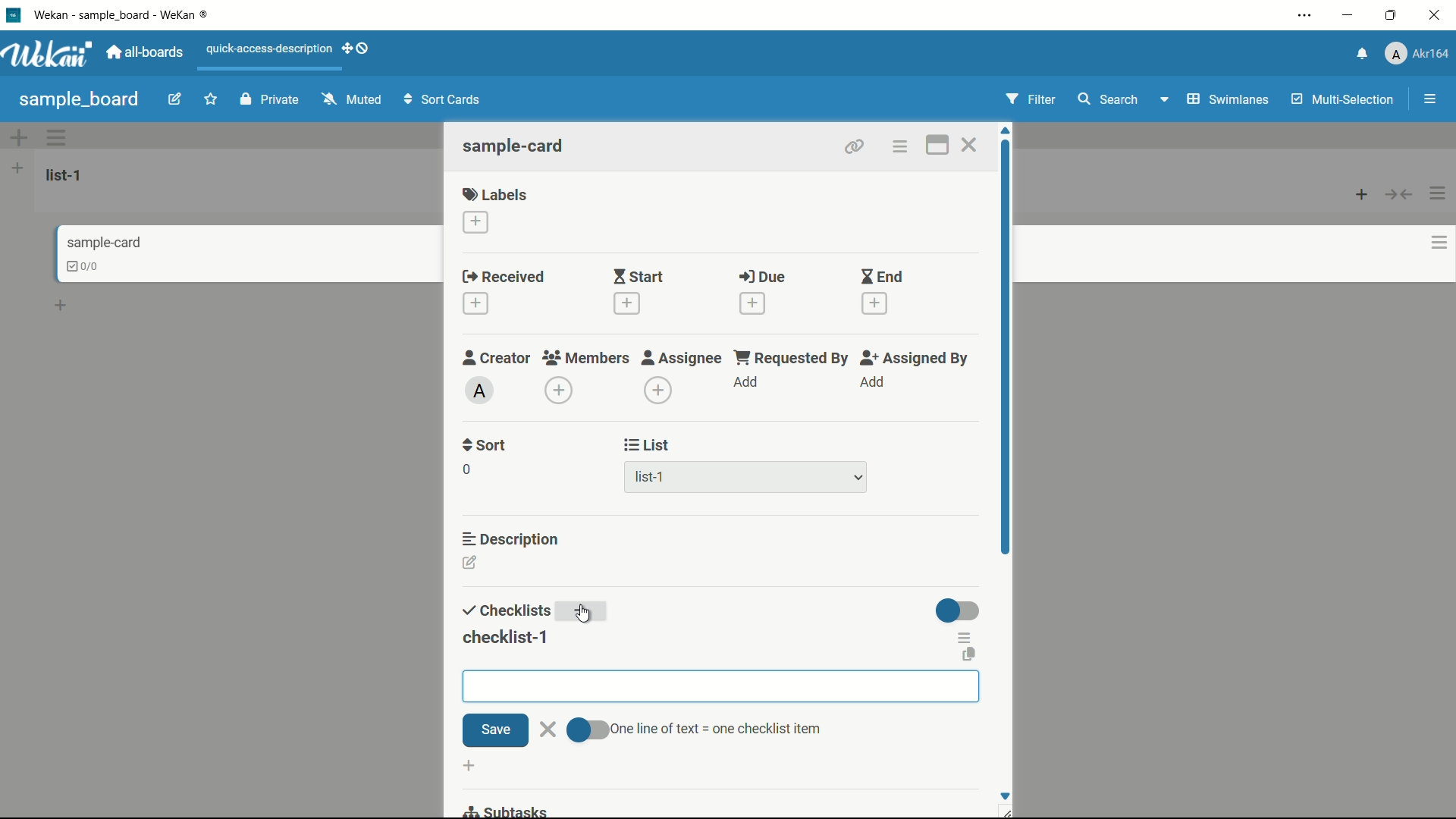 The image size is (1456, 819). Describe the element at coordinates (1432, 99) in the screenshot. I see `show/hide sidebar` at that location.